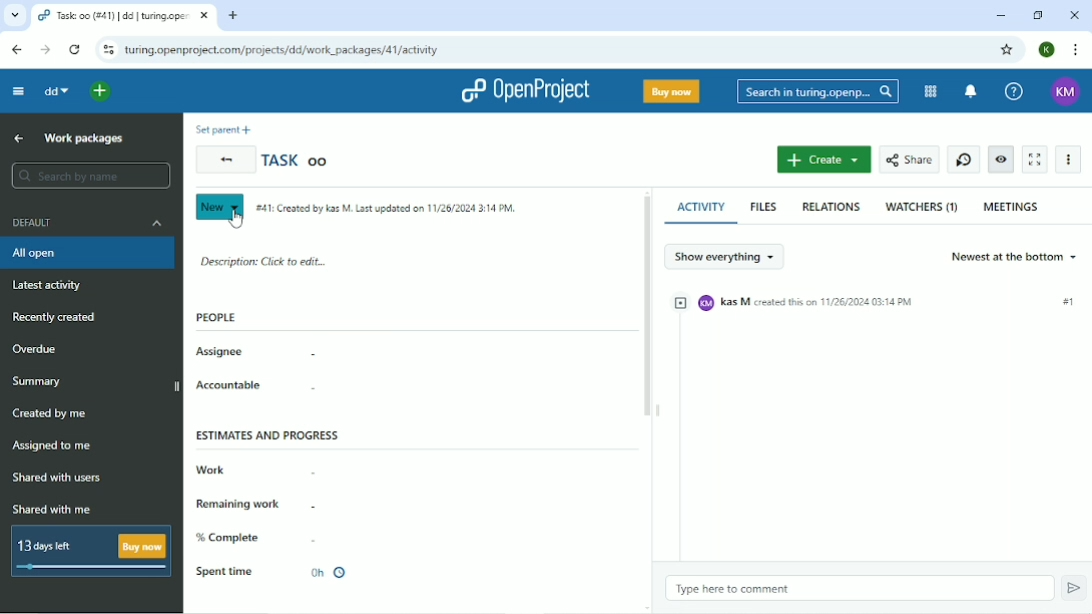  What do you see at coordinates (832, 205) in the screenshot?
I see `RELATIONS` at bounding box center [832, 205].